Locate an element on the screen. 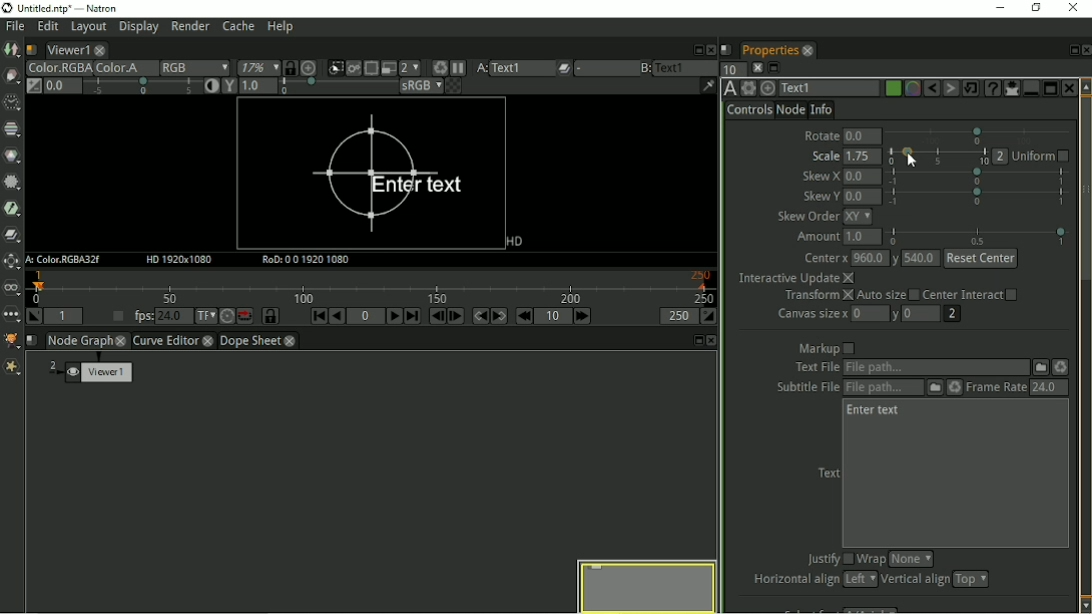  Filter is located at coordinates (13, 183).